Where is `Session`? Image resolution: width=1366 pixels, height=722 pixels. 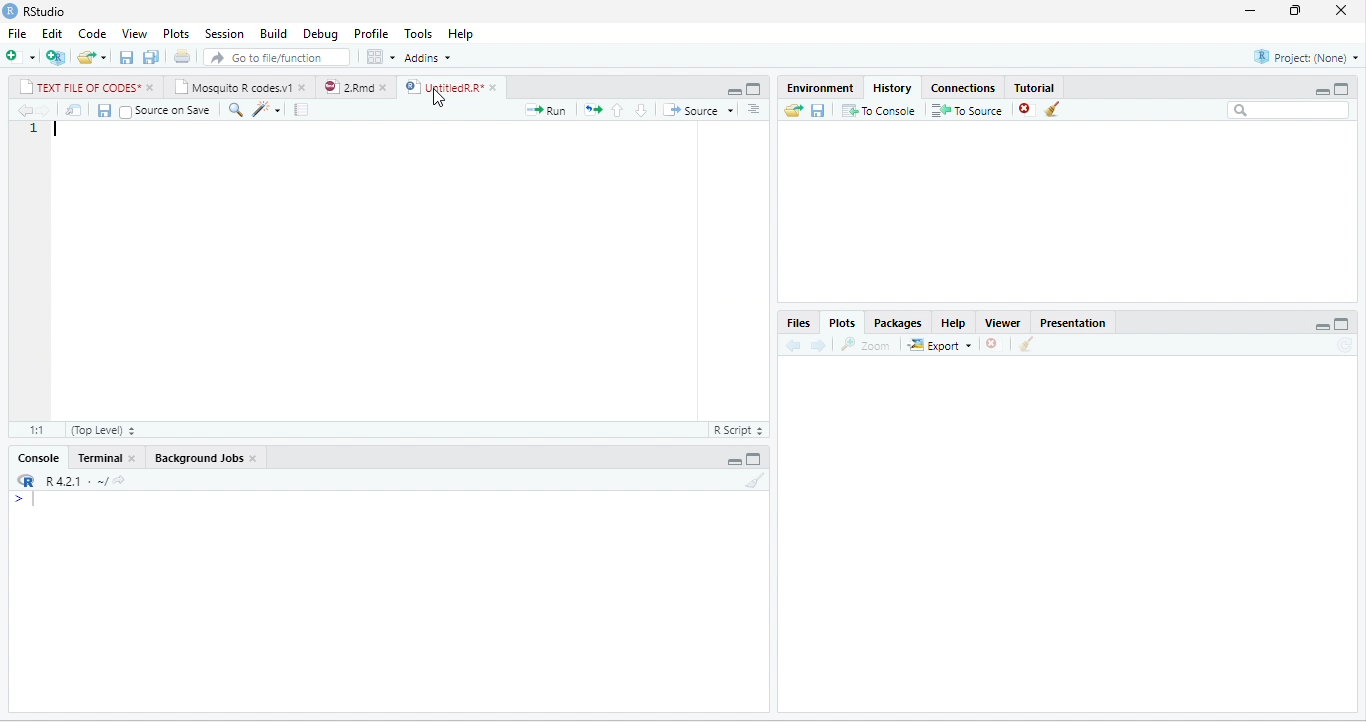
Session is located at coordinates (225, 34).